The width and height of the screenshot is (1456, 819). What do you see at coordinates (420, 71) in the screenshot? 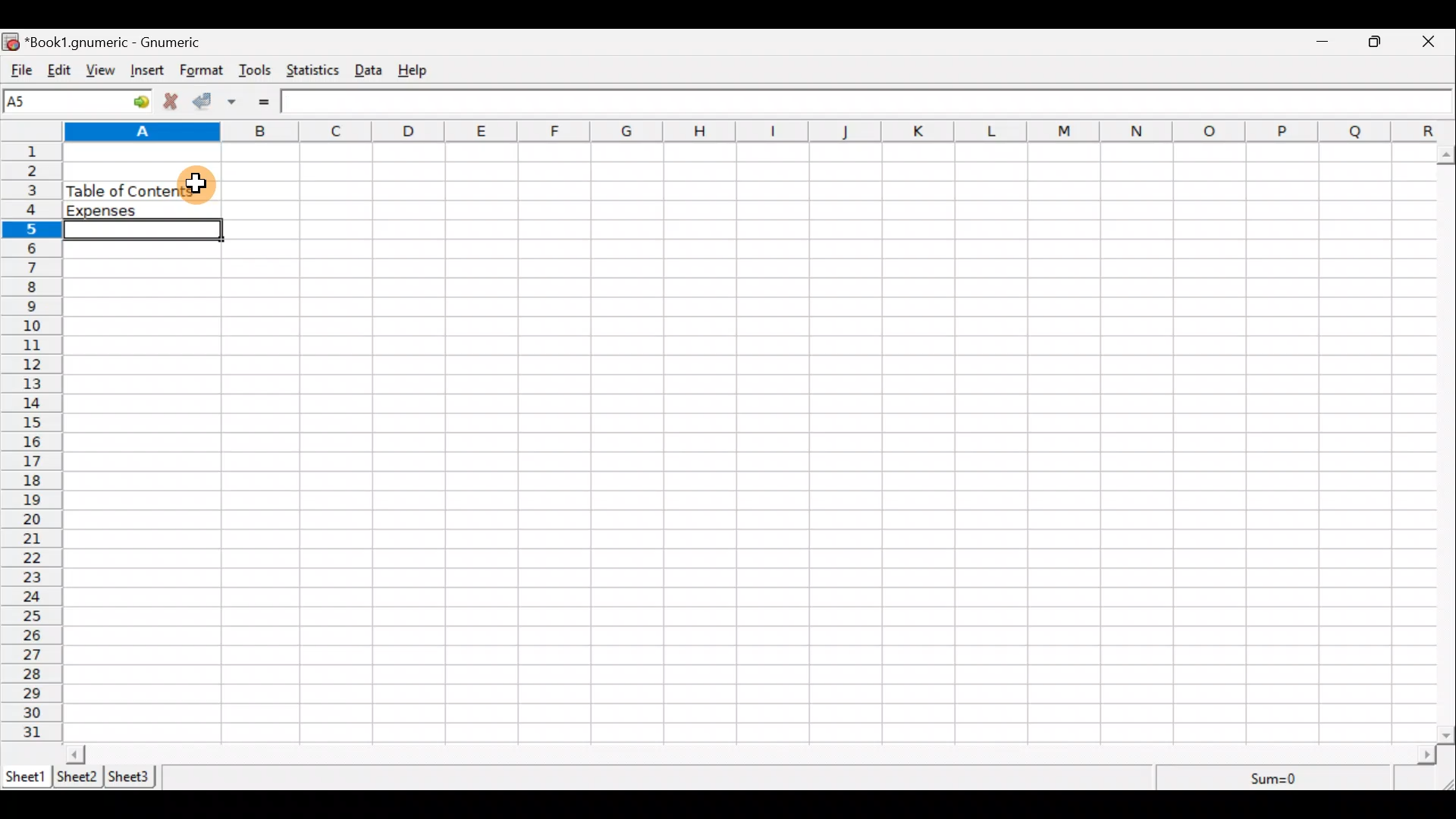
I see `Help` at bounding box center [420, 71].